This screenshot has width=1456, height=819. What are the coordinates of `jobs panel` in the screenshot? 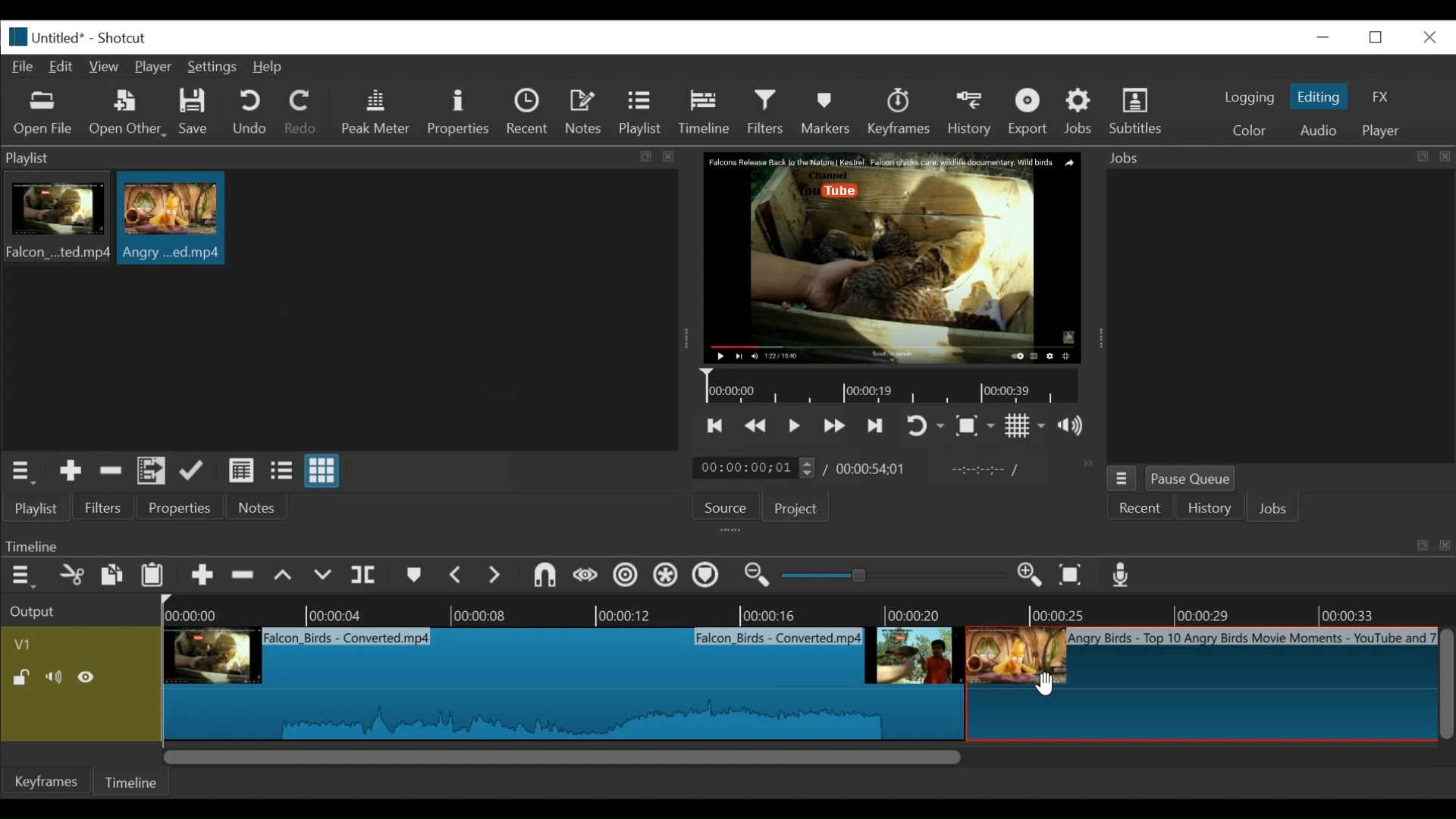 It's located at (1280, 315).